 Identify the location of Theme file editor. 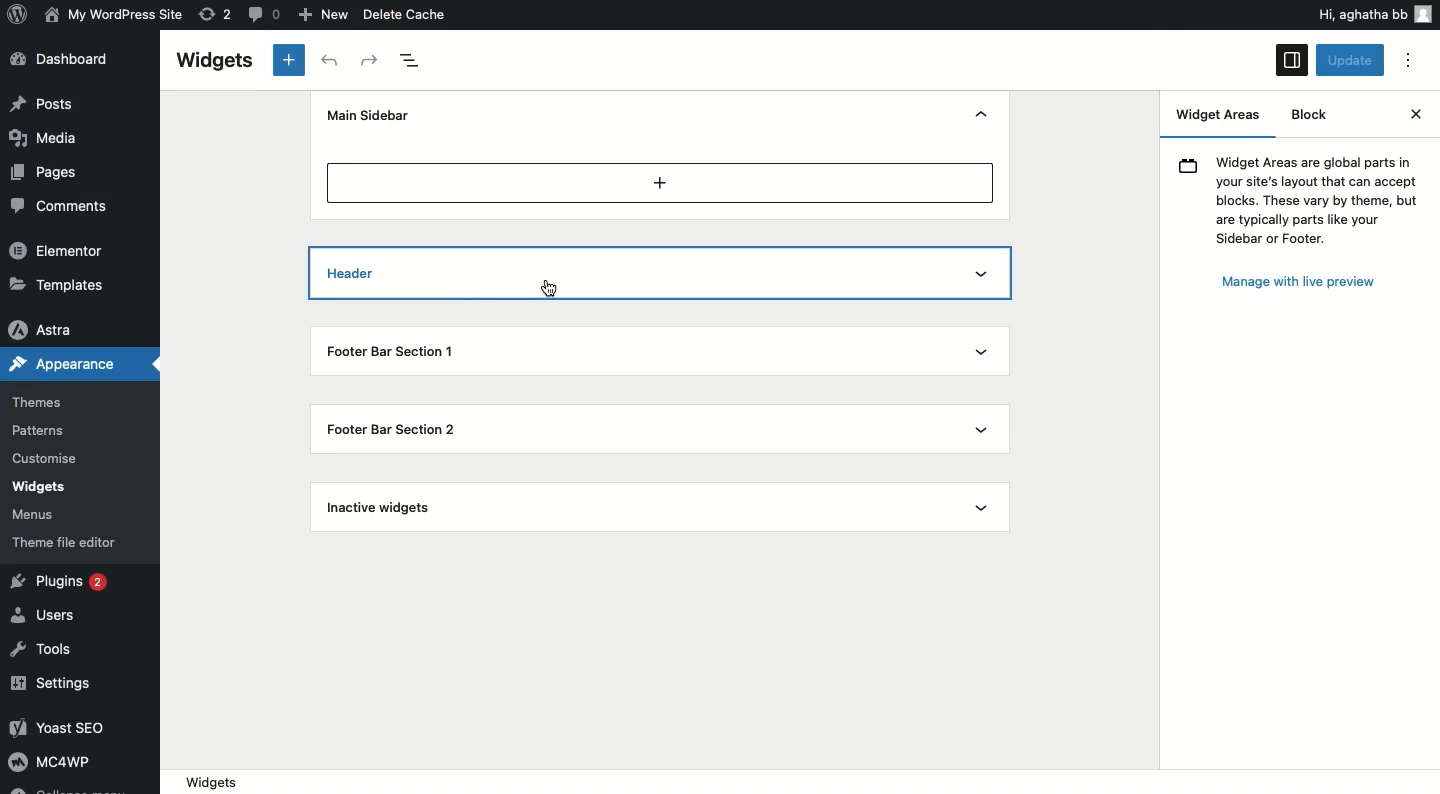
(69, 542).